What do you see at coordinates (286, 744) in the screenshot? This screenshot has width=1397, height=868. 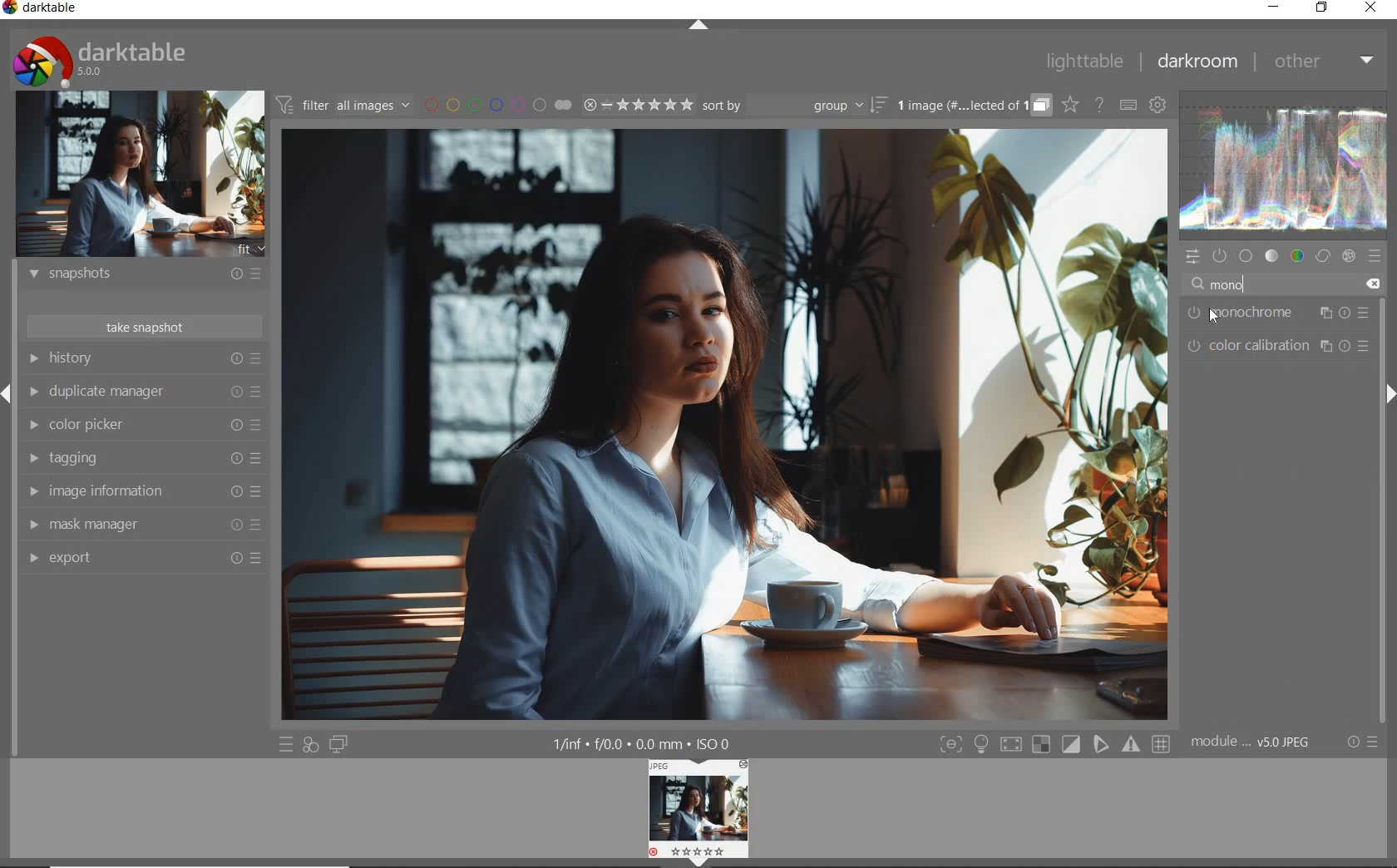 I see `quick access to presets` at bounding box center [286, 744].